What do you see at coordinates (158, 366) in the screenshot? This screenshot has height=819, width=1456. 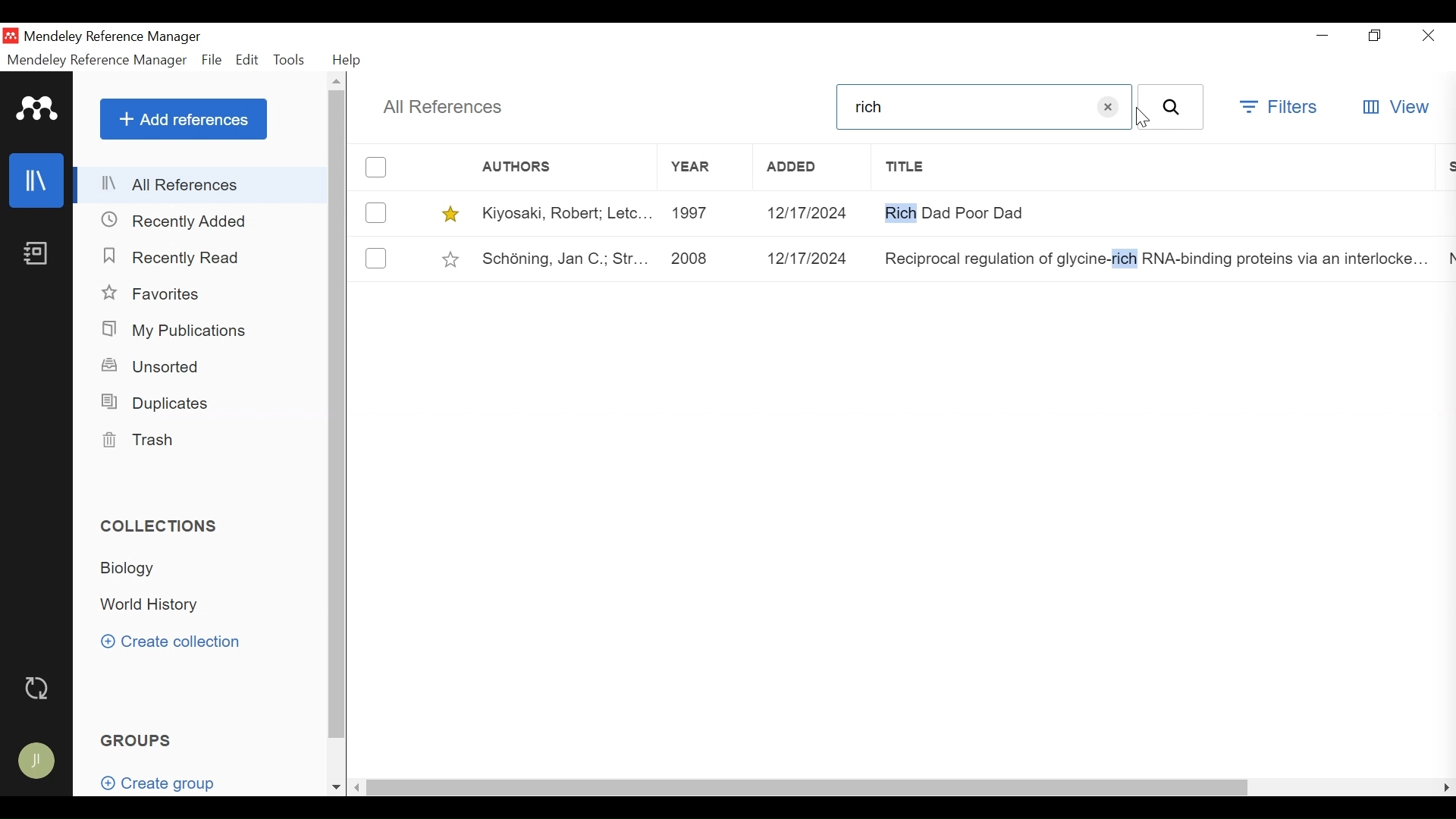 I see `Unsorted` at bounding box center [158, 366].